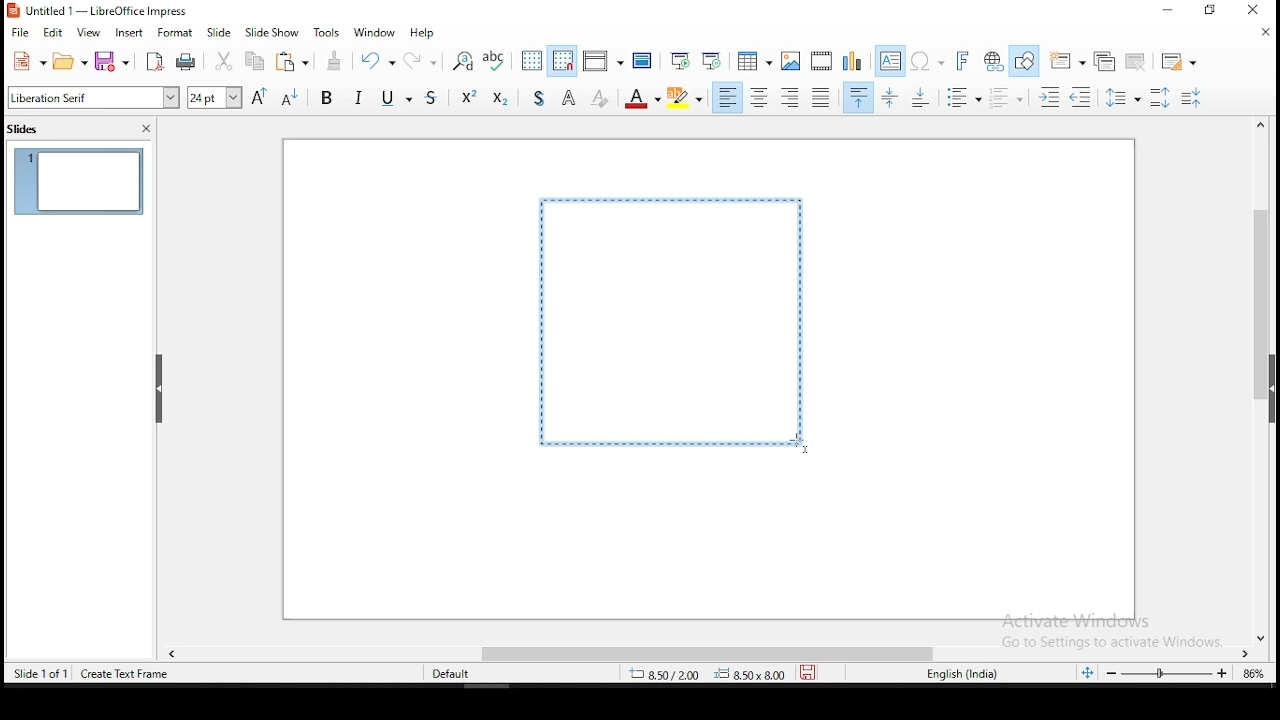  Describe the element at coordinates (294, 63) in the screenshot. I see `paste` at that location.